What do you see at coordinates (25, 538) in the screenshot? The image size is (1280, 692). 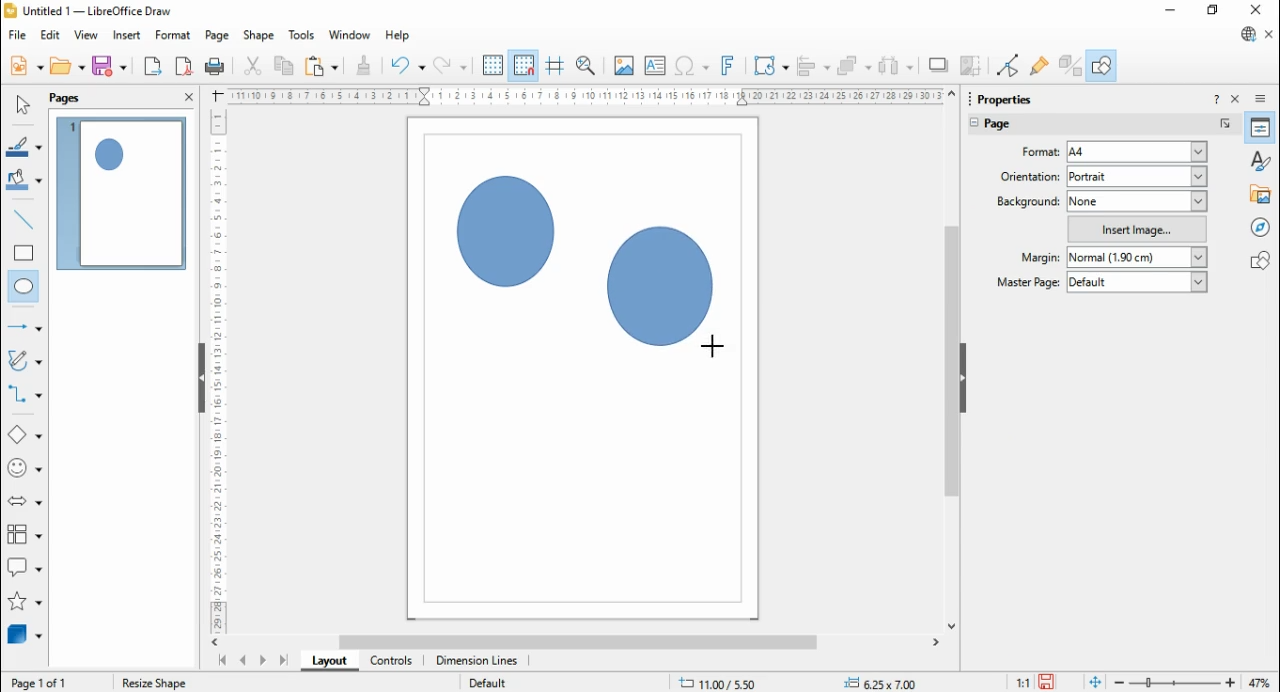 I see `flowchart` at bounding box center [25, 538].